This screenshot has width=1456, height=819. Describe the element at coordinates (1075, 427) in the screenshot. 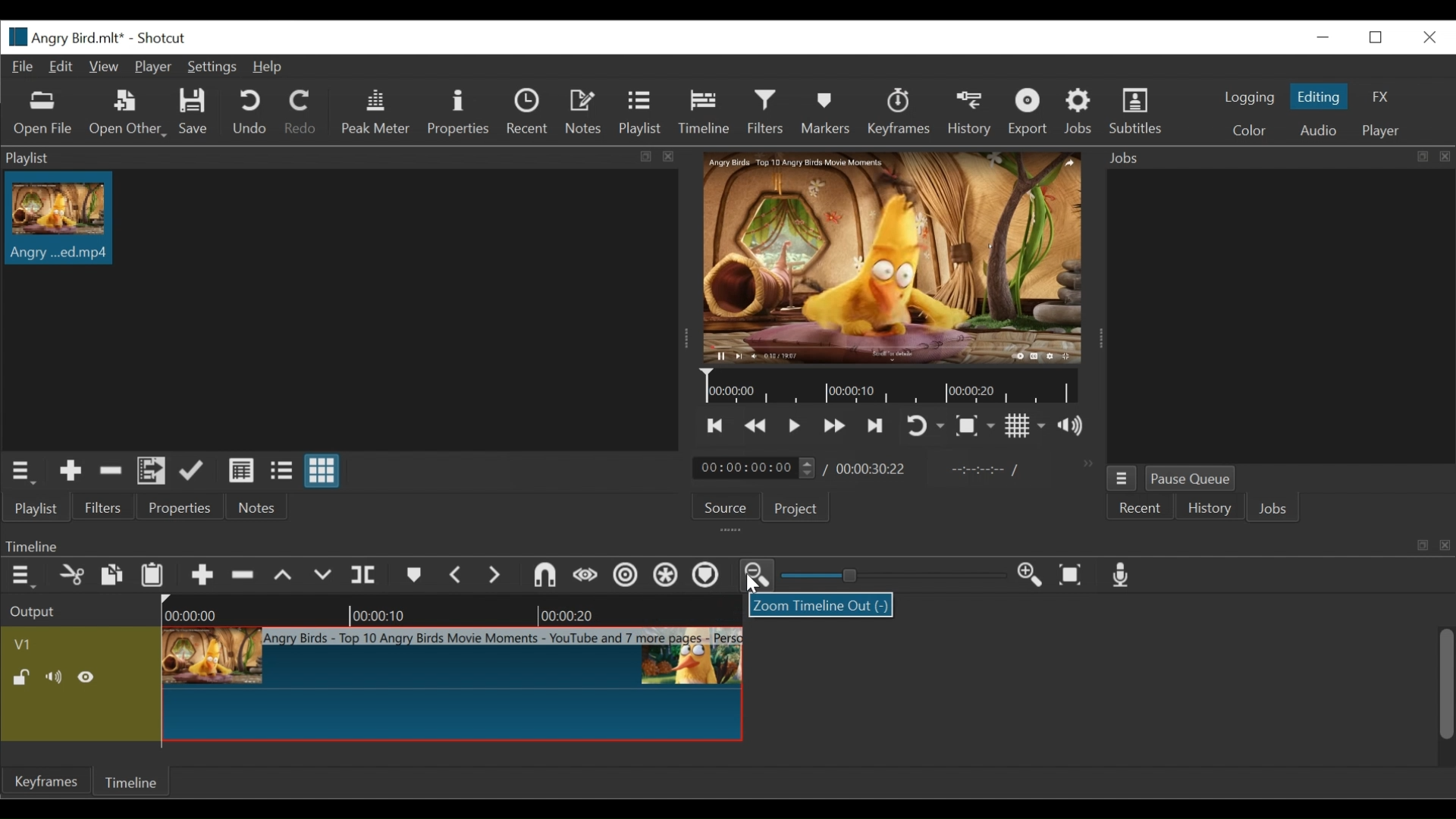

I see `Show volume control` at that location.